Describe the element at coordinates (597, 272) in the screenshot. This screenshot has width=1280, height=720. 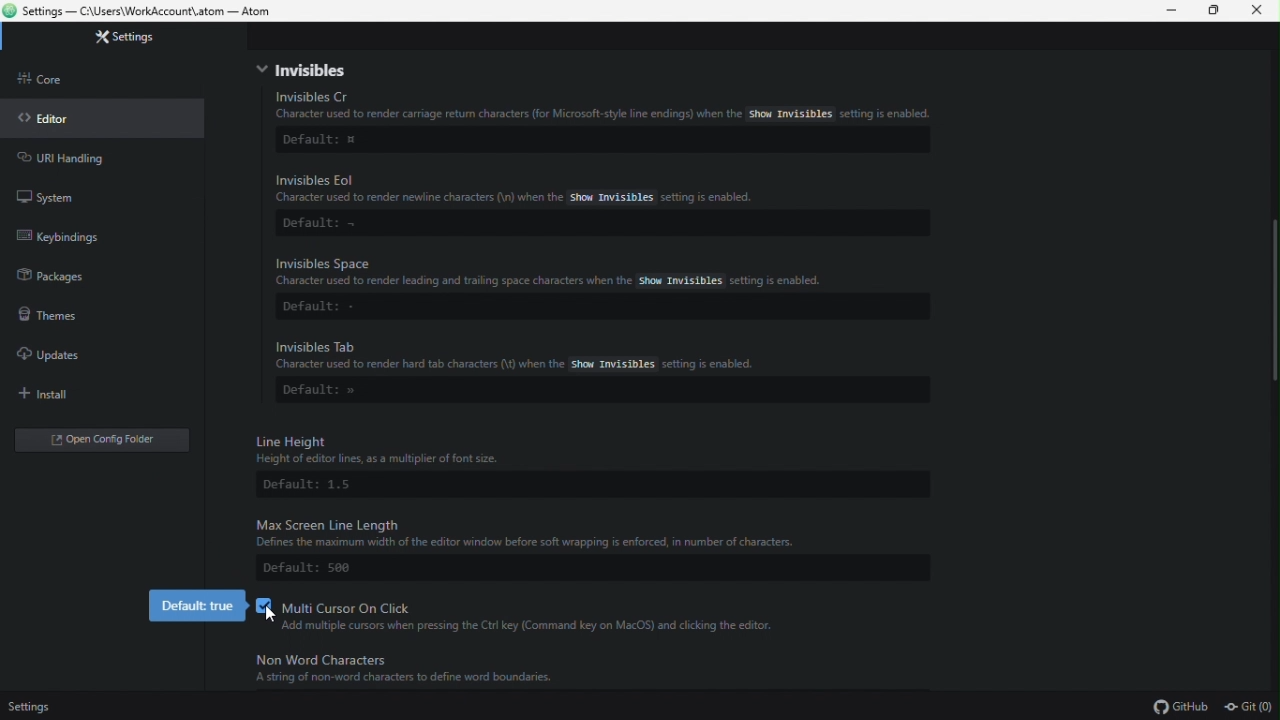
I see `Invisibles SpaceCharacter used to render leading and traiing space characters when the ‘Show visibles setting is enabled.` at that location.